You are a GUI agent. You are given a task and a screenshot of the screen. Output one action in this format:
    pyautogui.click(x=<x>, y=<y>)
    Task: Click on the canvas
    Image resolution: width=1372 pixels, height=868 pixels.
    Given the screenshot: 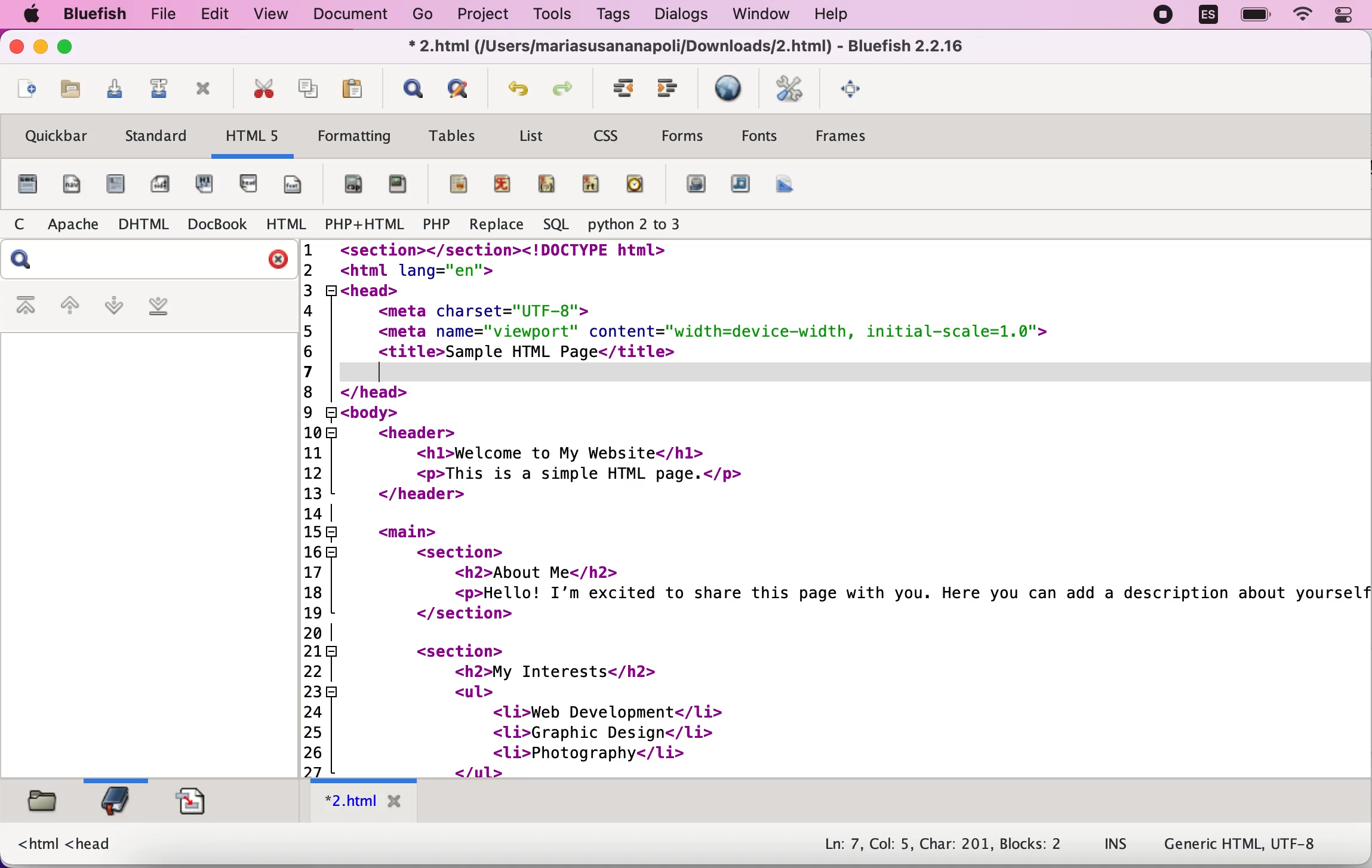 What is the action you would take?
    pyautogui.click(x=787, y=184)
    